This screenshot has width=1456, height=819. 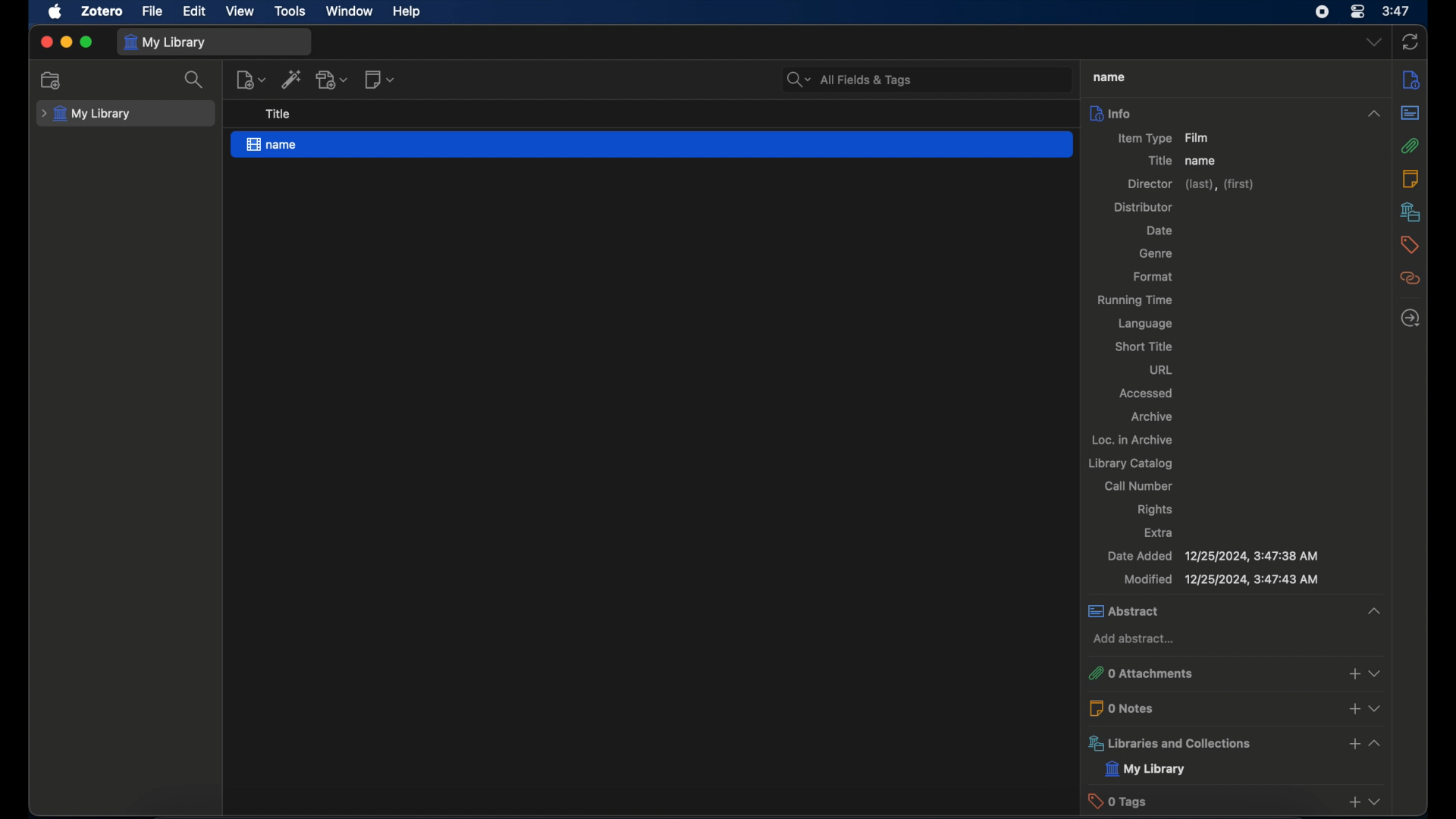 What do you see at coordinates (1411, 146) in the screenshot?
I see `attachments` at bounding box center [1411, 146].